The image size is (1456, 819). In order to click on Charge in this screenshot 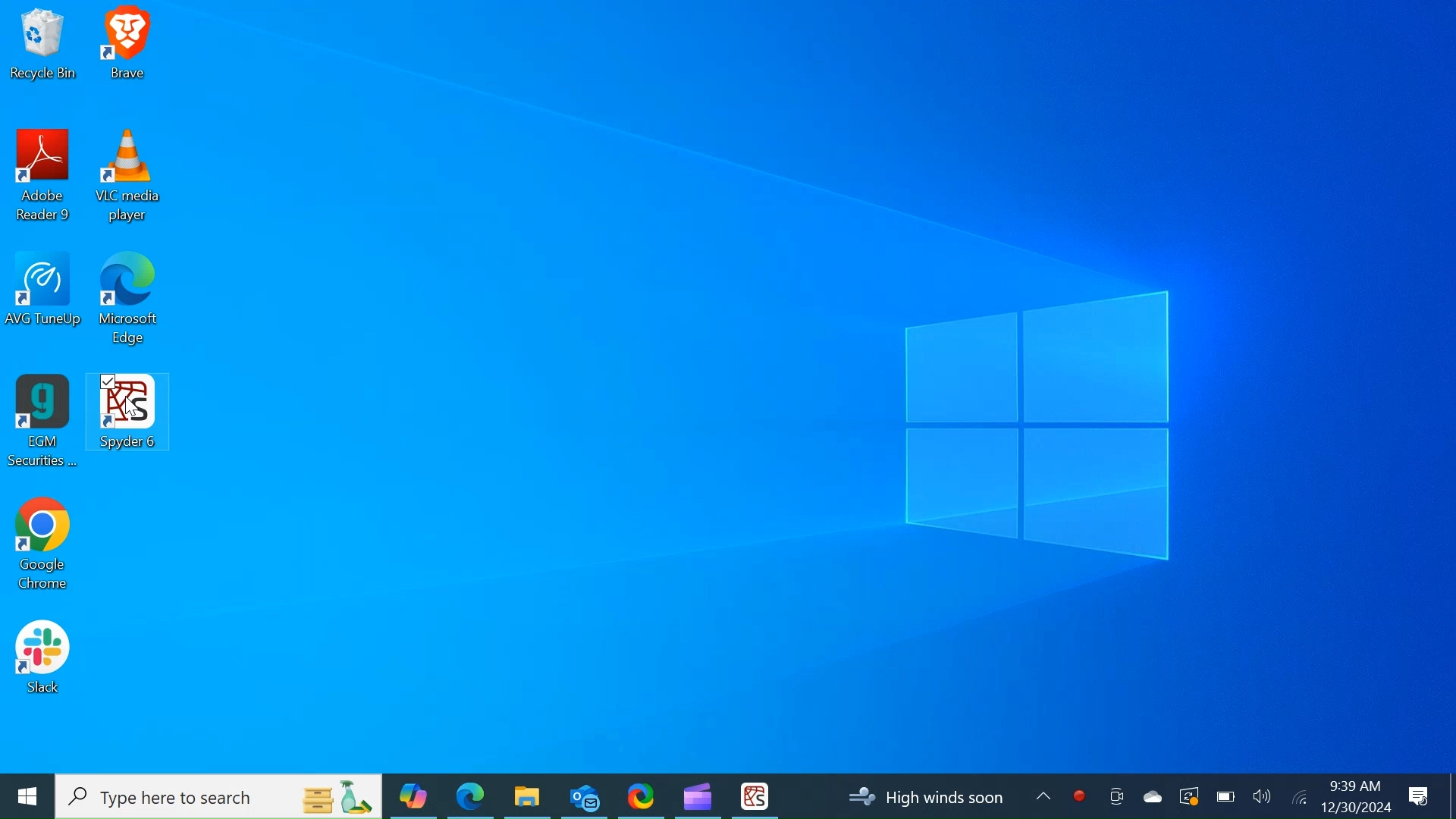, I will do `click(1225, 796)`.